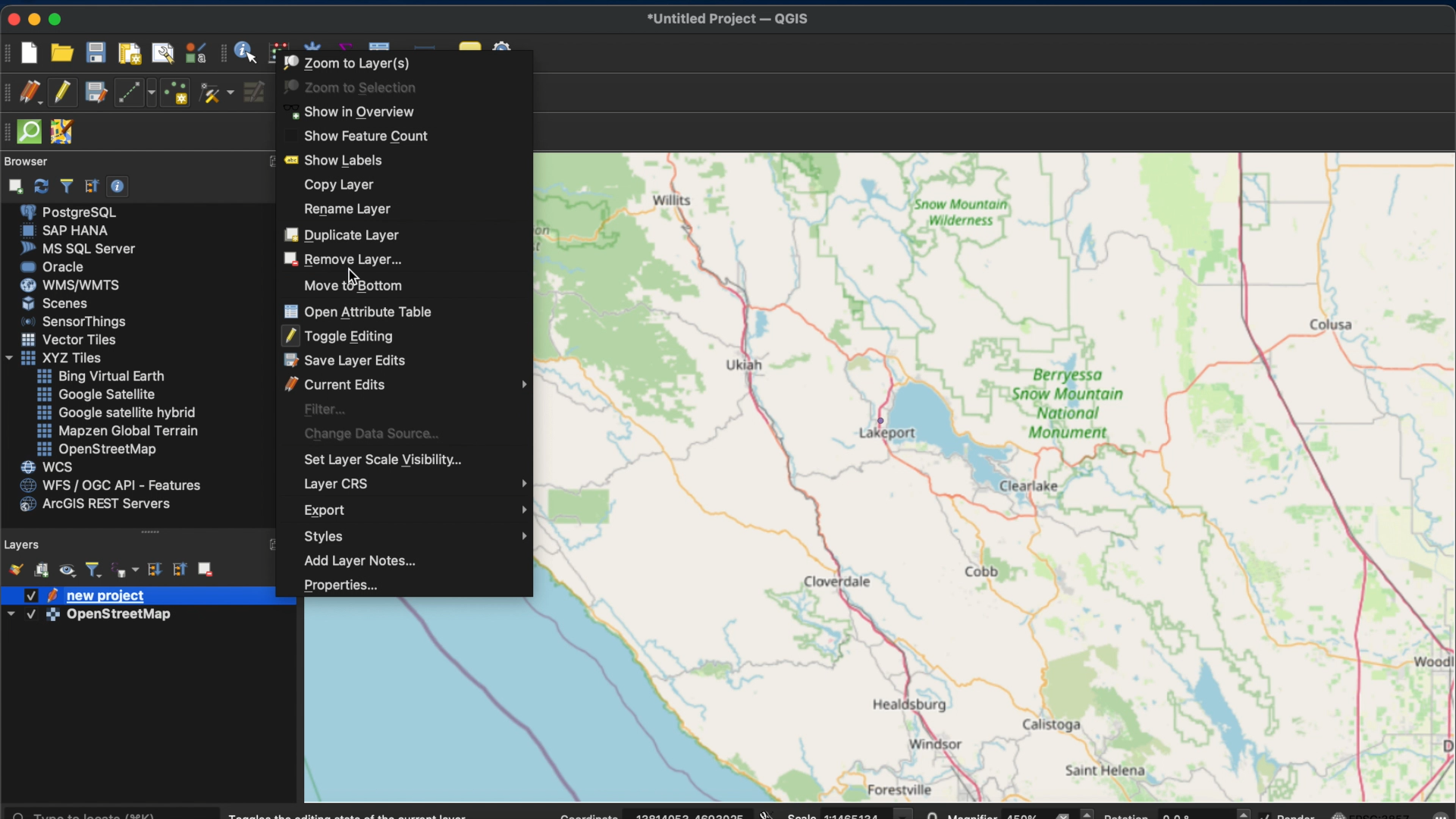 The image size is (1456, 819). Describe the element at coordinates (96, 94) in the screenshot. I see `save edits` at that location.